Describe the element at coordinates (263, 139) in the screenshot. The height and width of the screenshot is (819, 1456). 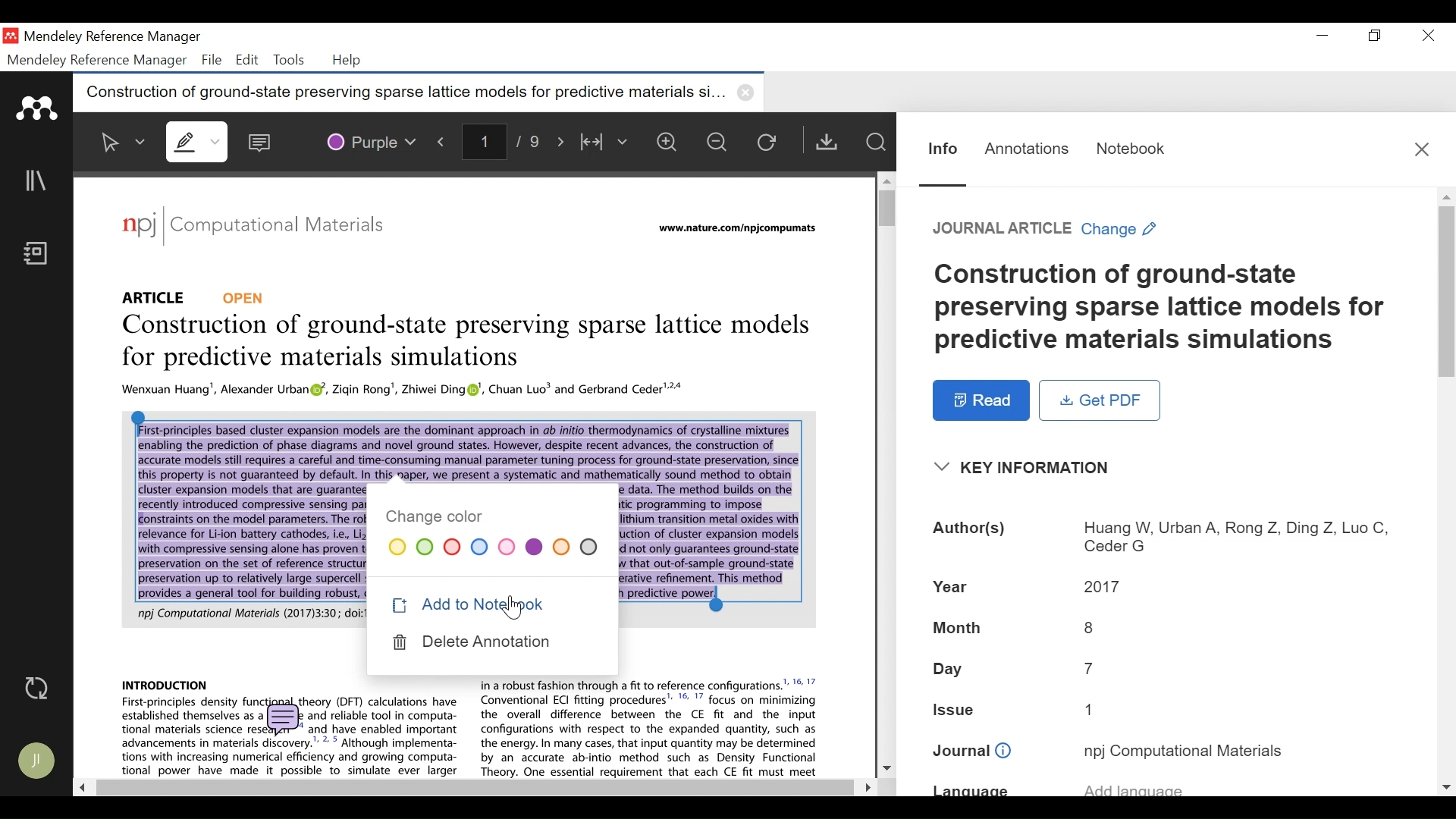
I see `Sticky Note` at that location.